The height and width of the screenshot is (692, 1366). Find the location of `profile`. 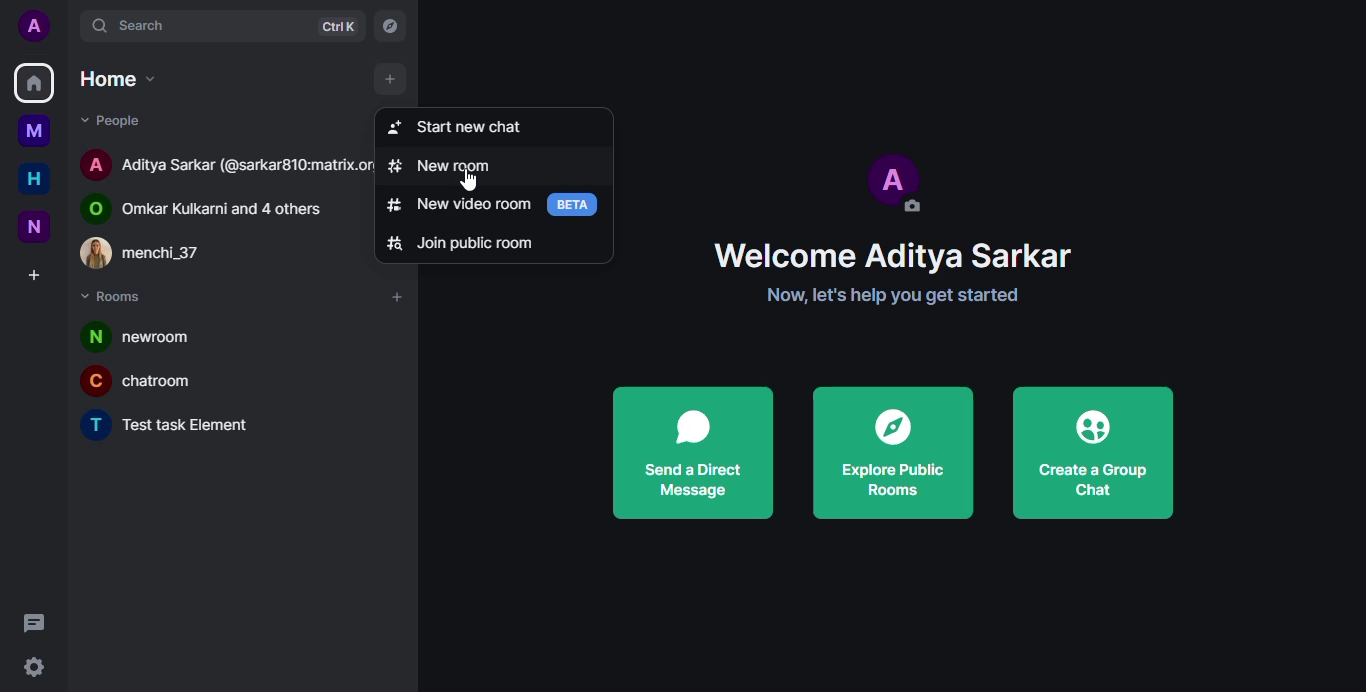

profile is located at coordinates (894, 181).